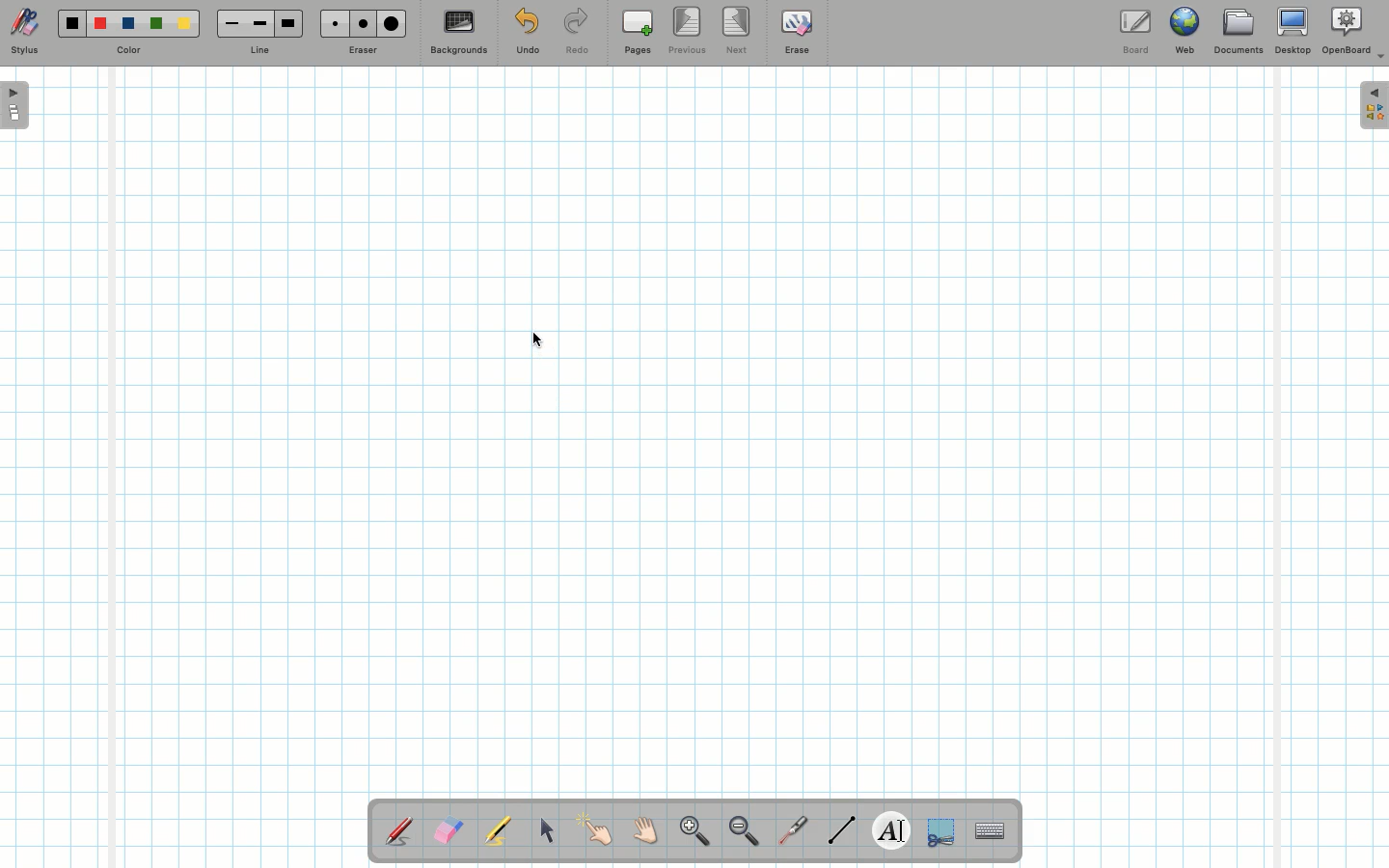  I want to click on Red, so click(101, 24).